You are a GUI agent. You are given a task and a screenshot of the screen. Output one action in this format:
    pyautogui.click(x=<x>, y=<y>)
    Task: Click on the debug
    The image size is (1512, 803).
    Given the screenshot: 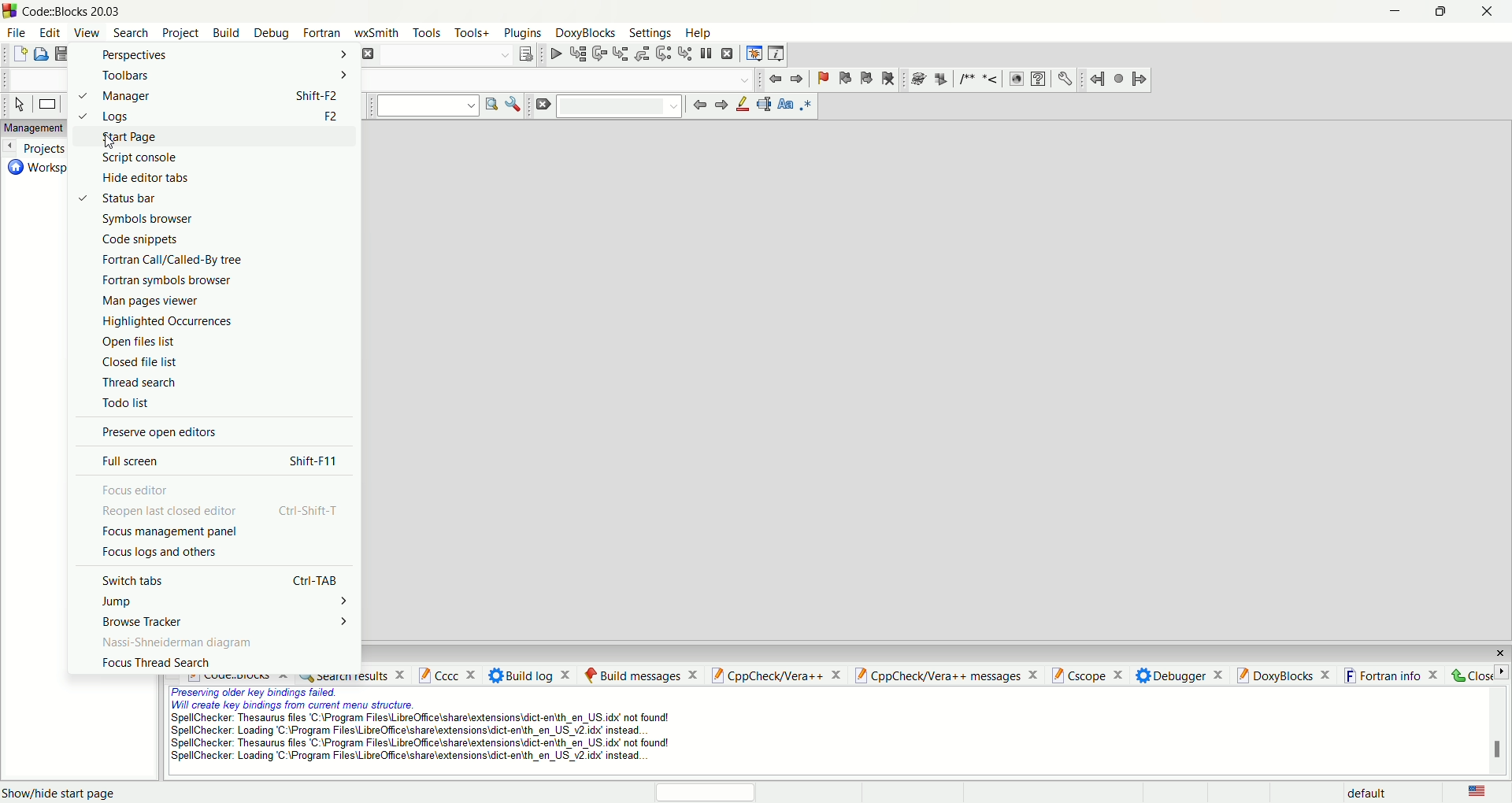 What is the action you would take?
    pyautogui.click(x=554, y=56)
    